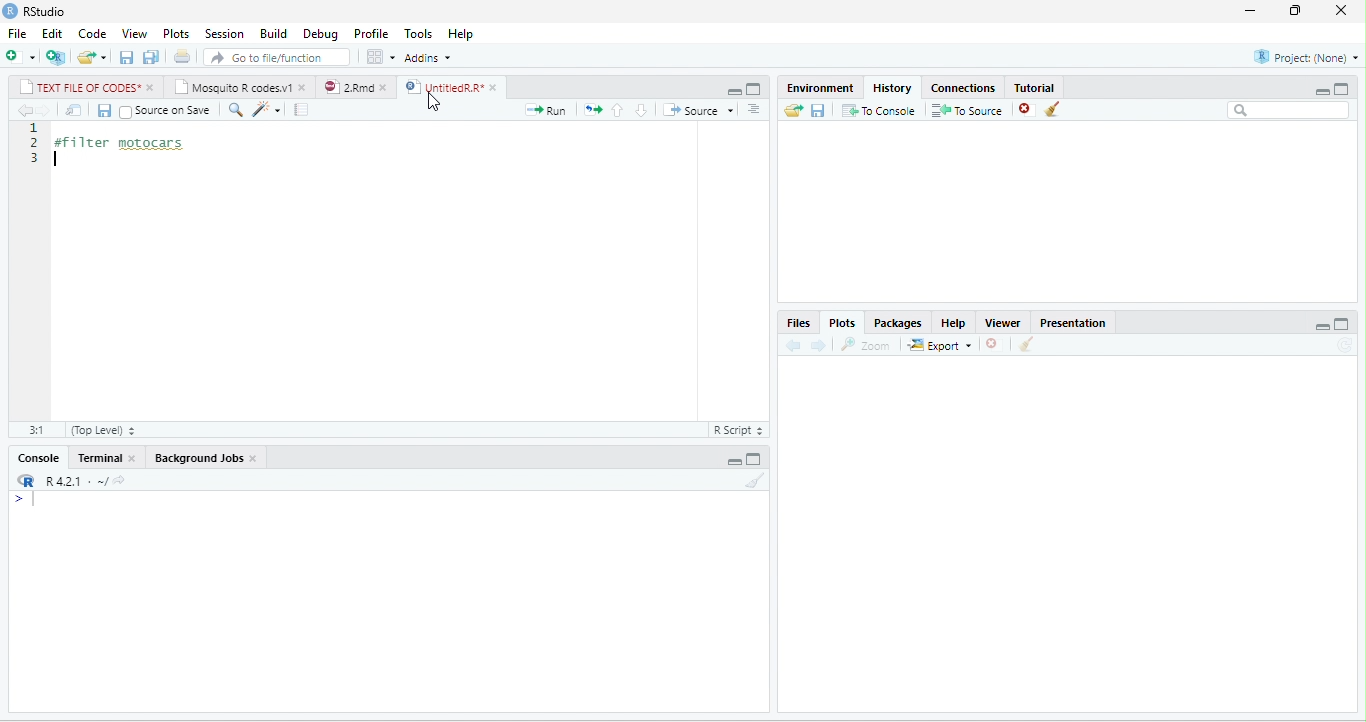 This screenshot has height=722, width=1366. I want to click on Presentation, so click(1072, 323).